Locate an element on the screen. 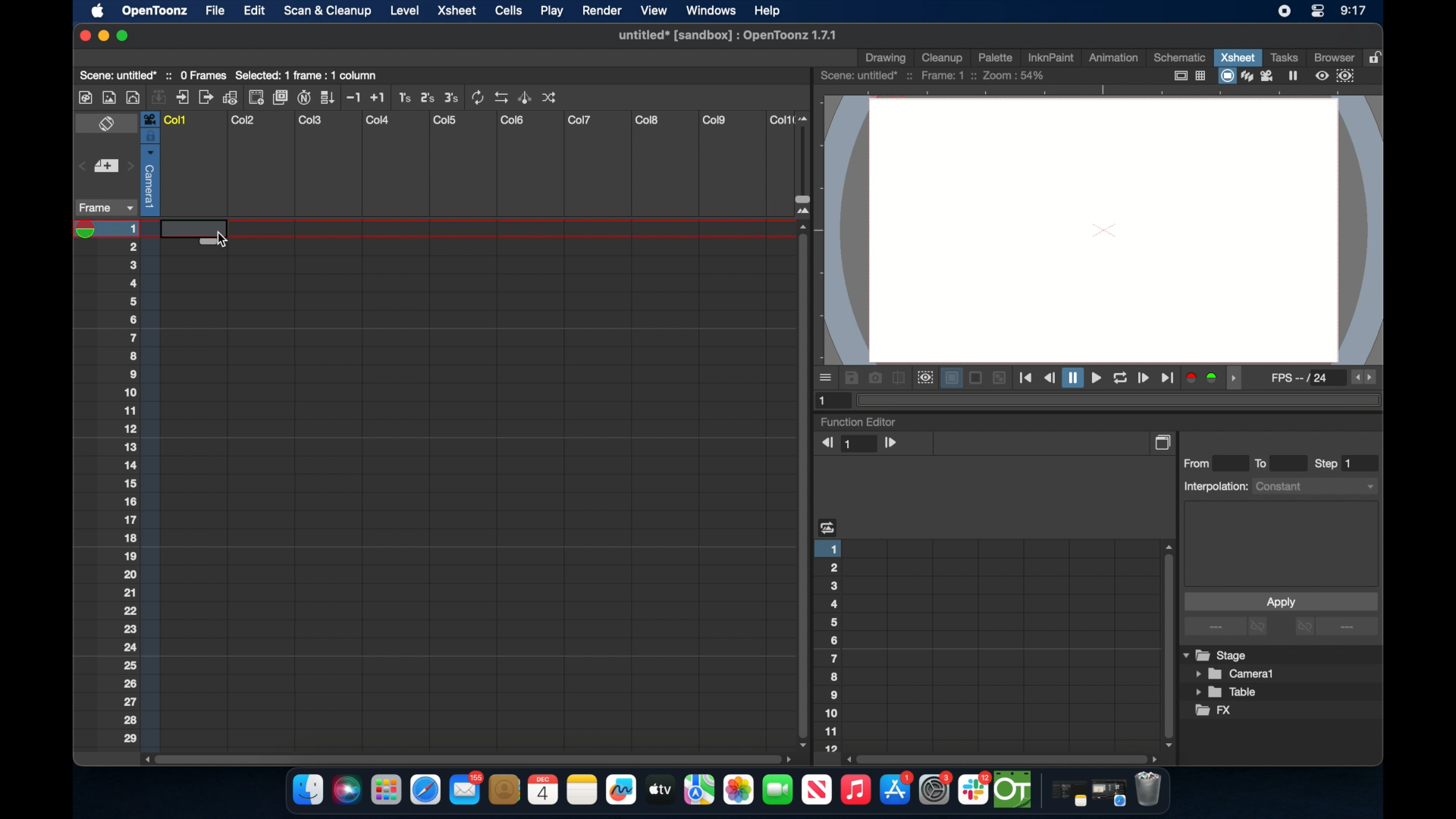  scene is located at coordinates (155, 74).